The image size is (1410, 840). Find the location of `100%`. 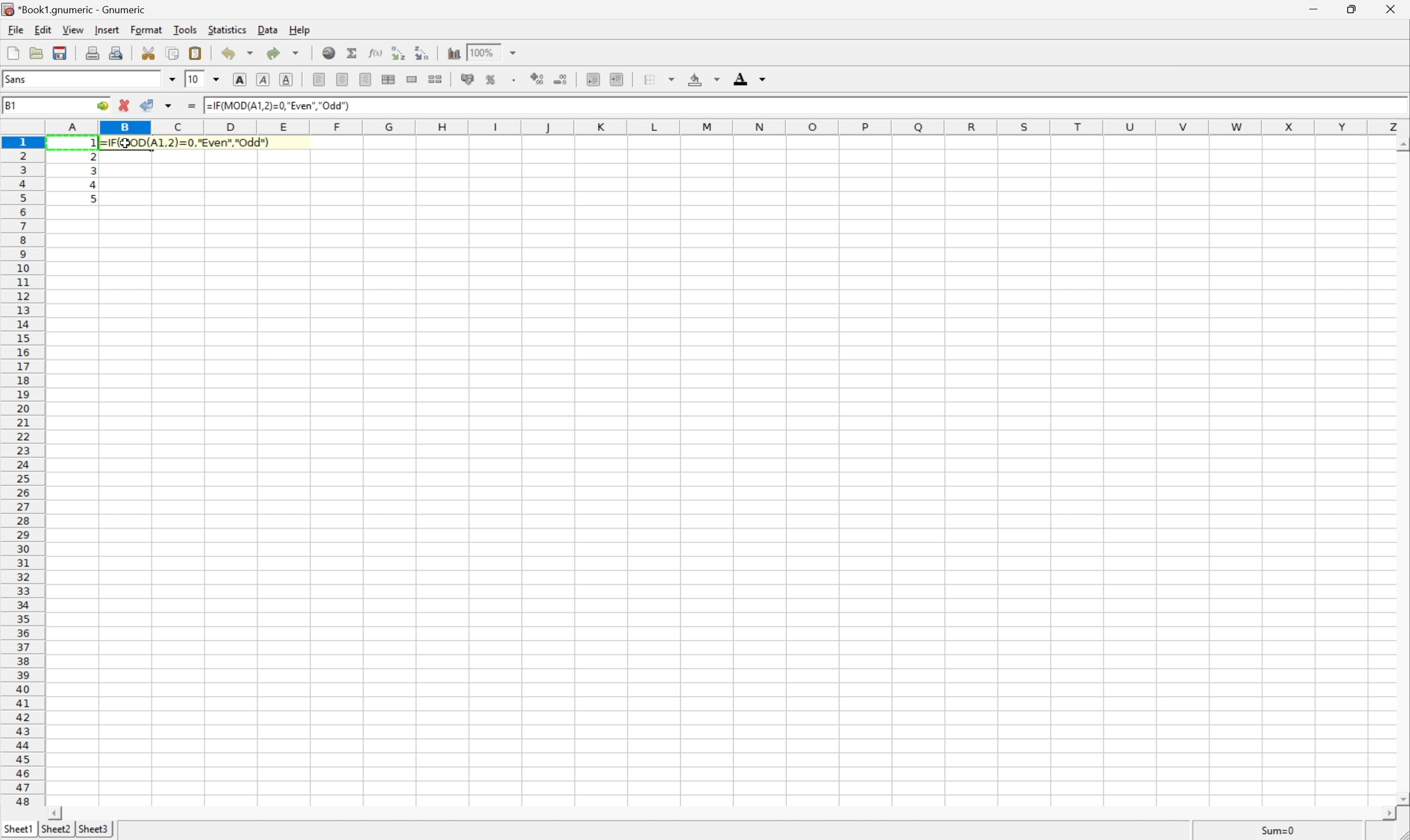

100% is located at coordinates (484, 52).